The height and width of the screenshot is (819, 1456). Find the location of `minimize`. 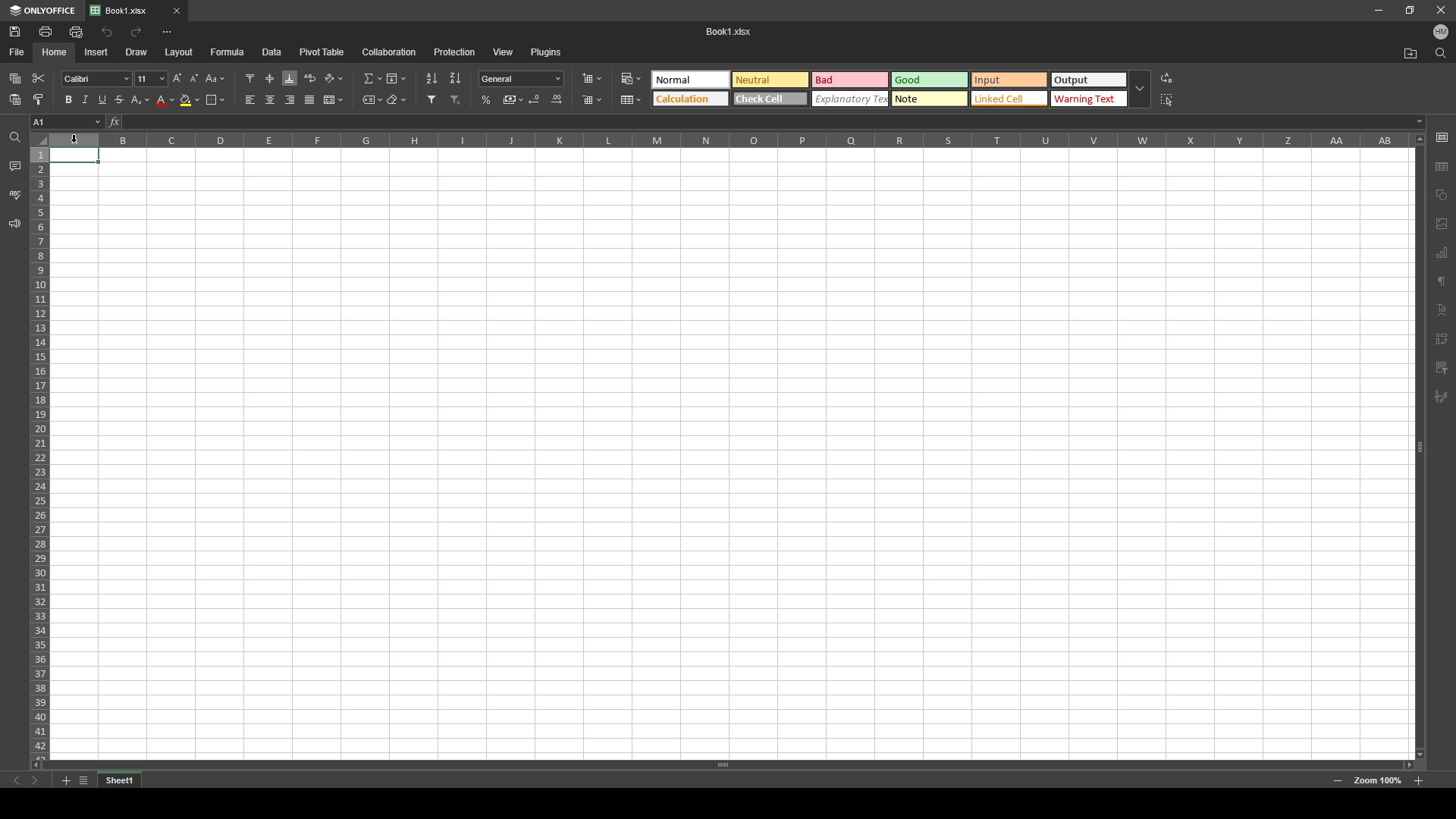

minimize is located at coordinates (1379, 11).